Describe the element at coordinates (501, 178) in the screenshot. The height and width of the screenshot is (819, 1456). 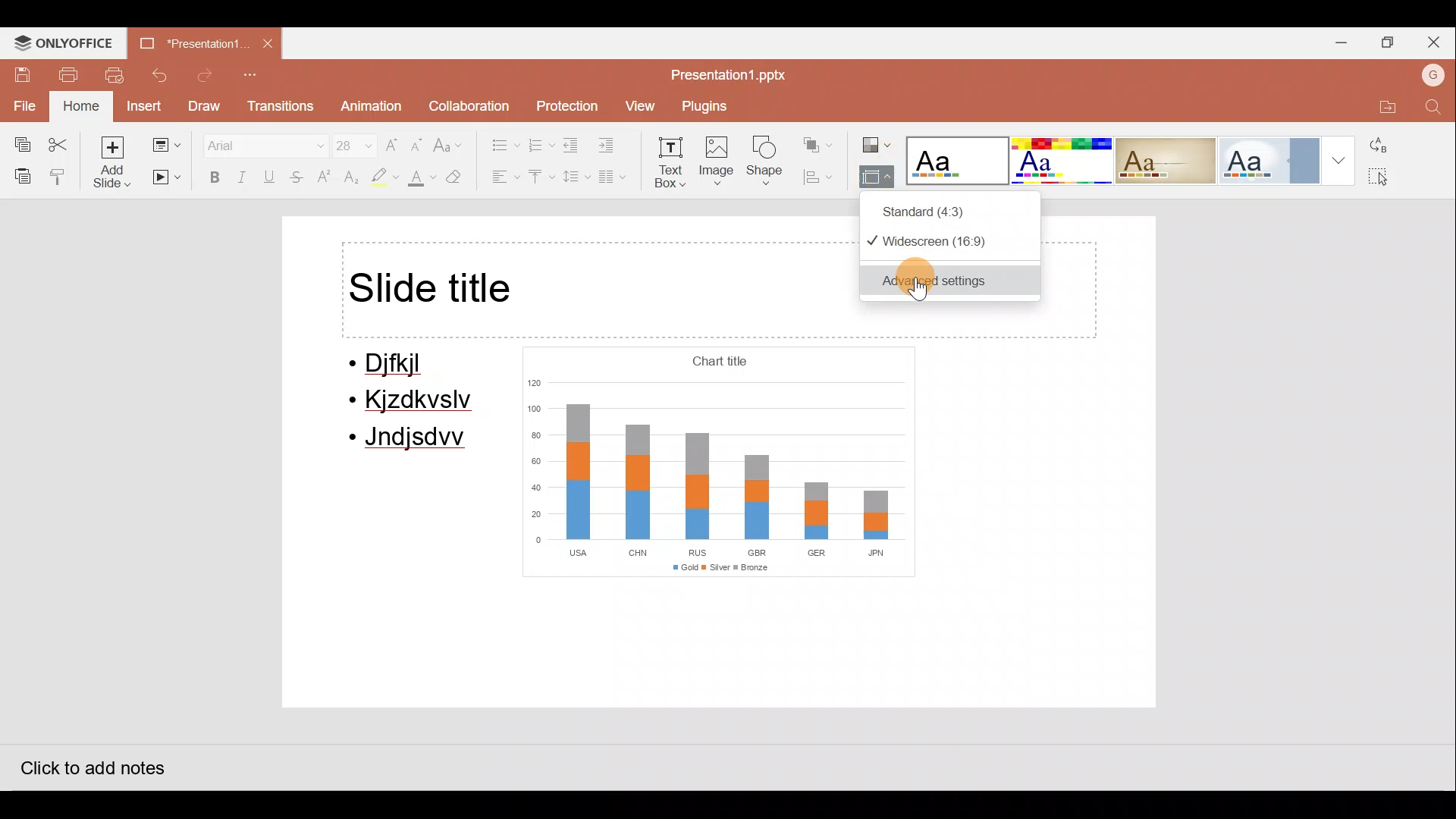
I see `Horizontal align` at that location.